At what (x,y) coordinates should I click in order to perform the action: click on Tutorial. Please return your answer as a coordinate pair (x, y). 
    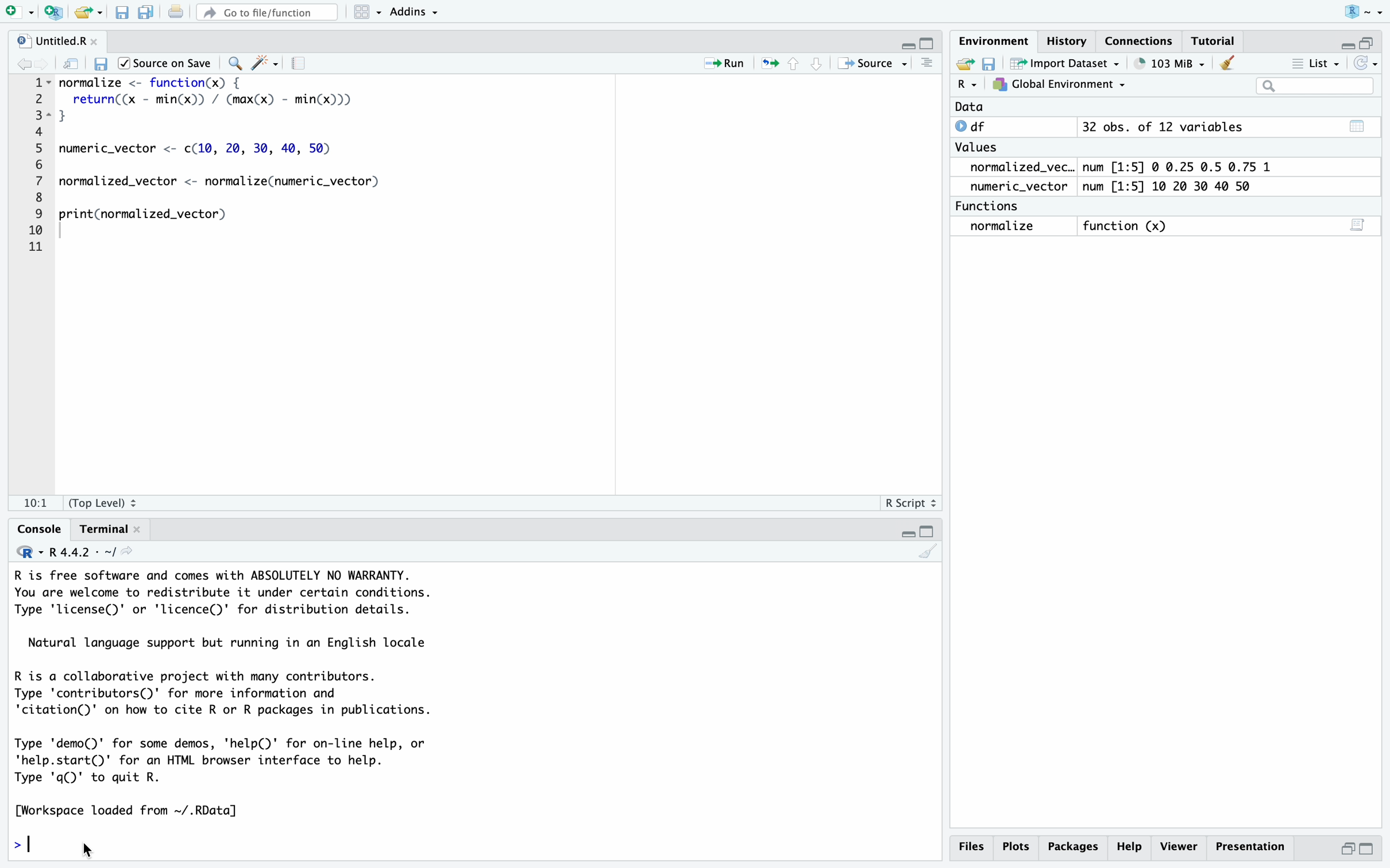
    Looking at the image, I should click on (1214, 40).